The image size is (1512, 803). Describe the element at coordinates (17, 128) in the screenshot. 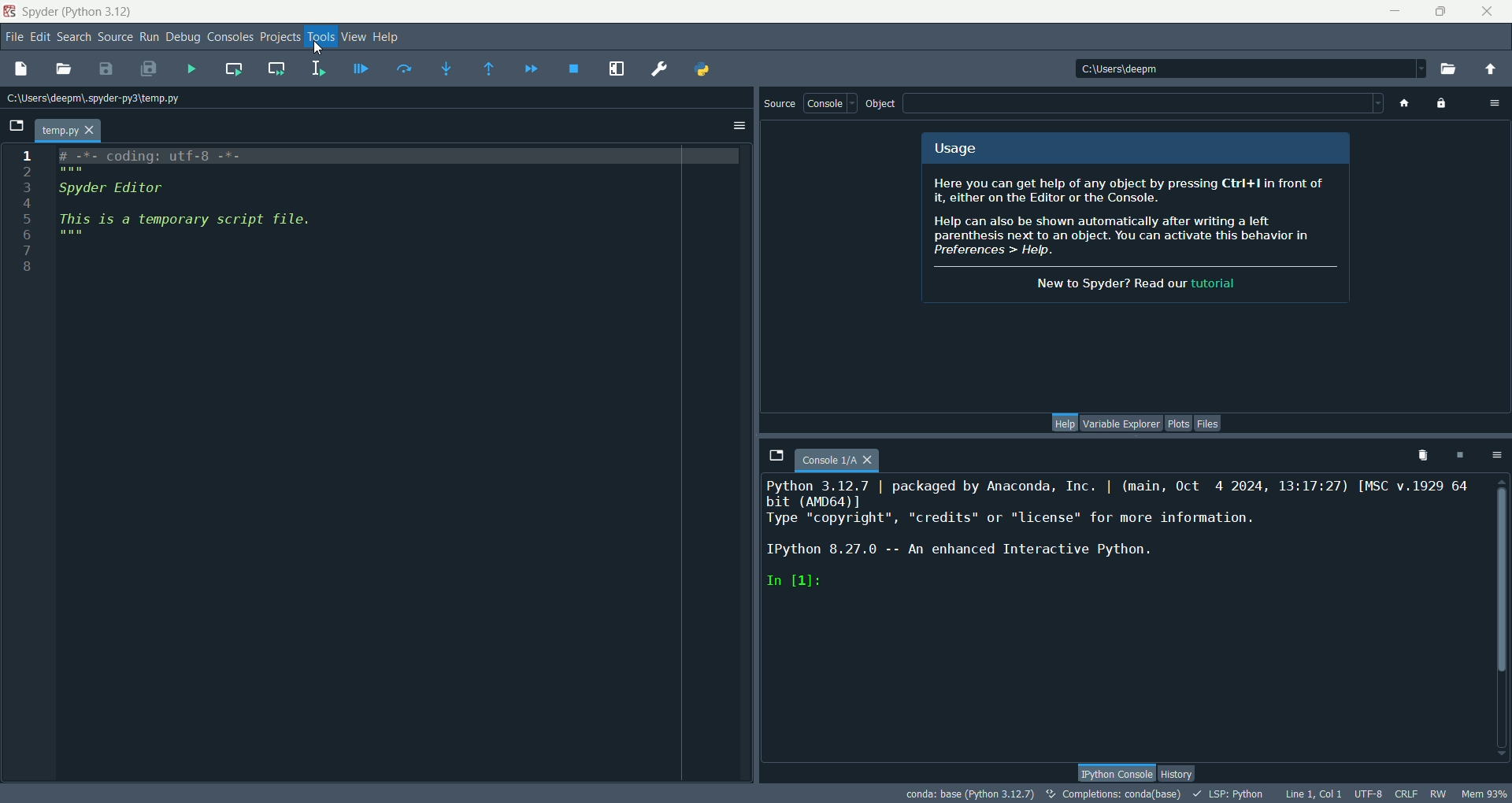

I see `browse tab` at that location.